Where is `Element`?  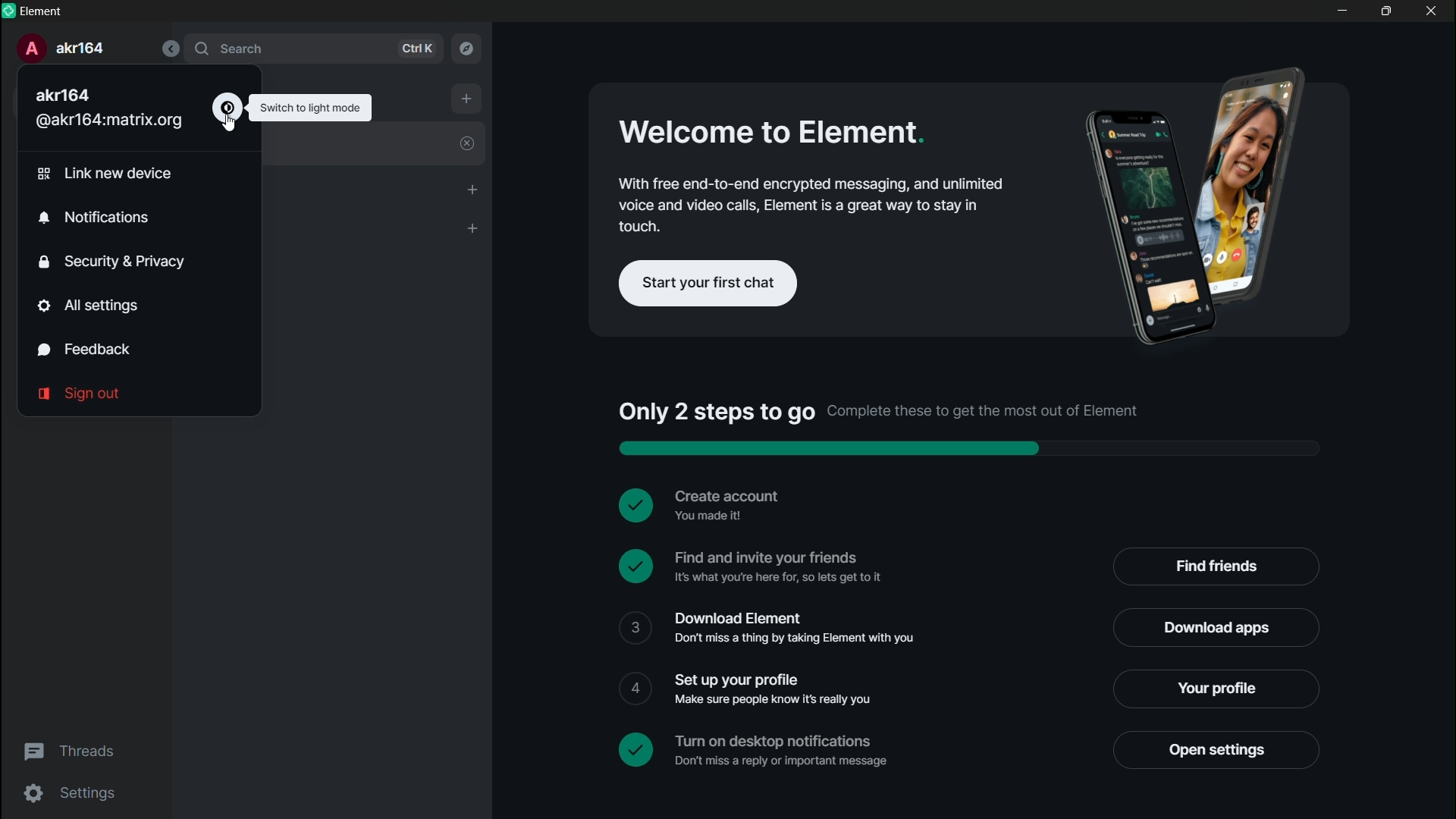 Element is located at coordinates (45, 11).